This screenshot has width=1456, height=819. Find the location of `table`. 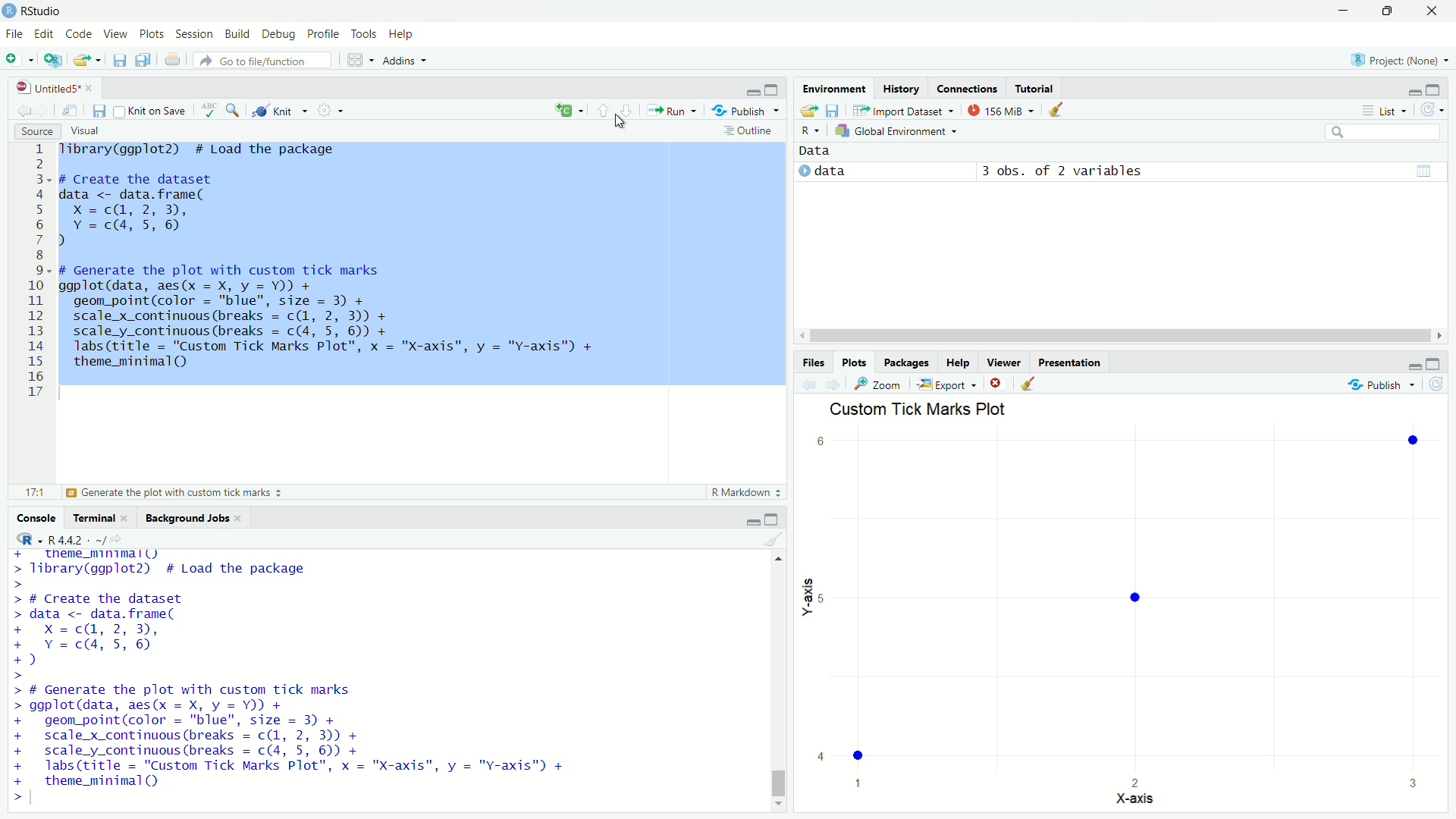

table is located at coordinates (1423, 170).